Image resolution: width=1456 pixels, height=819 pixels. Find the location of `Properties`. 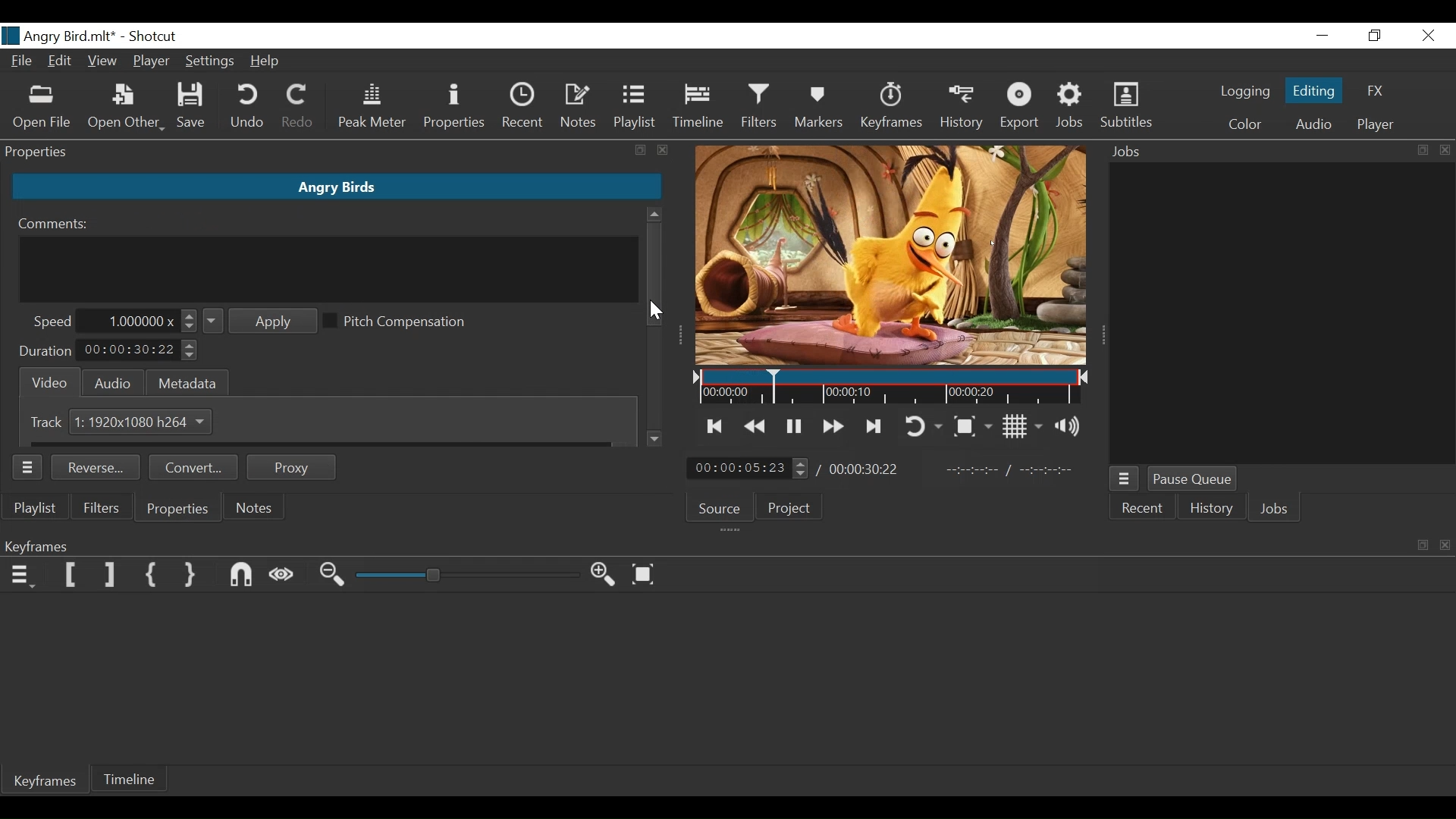

Properties is located at coordinates (179, 510).